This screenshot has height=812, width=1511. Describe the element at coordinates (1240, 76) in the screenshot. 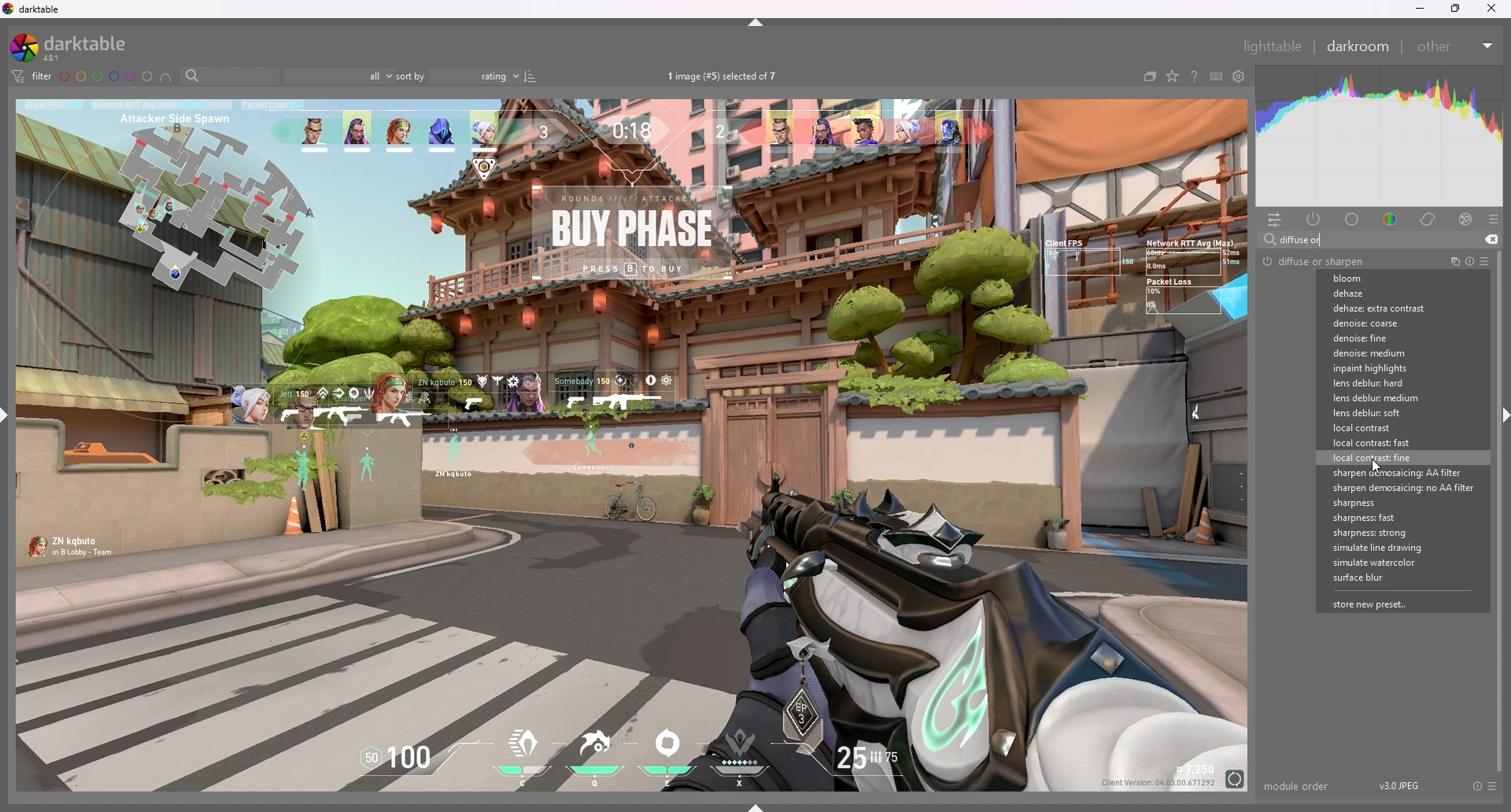

I see `show global preferences` at that location.